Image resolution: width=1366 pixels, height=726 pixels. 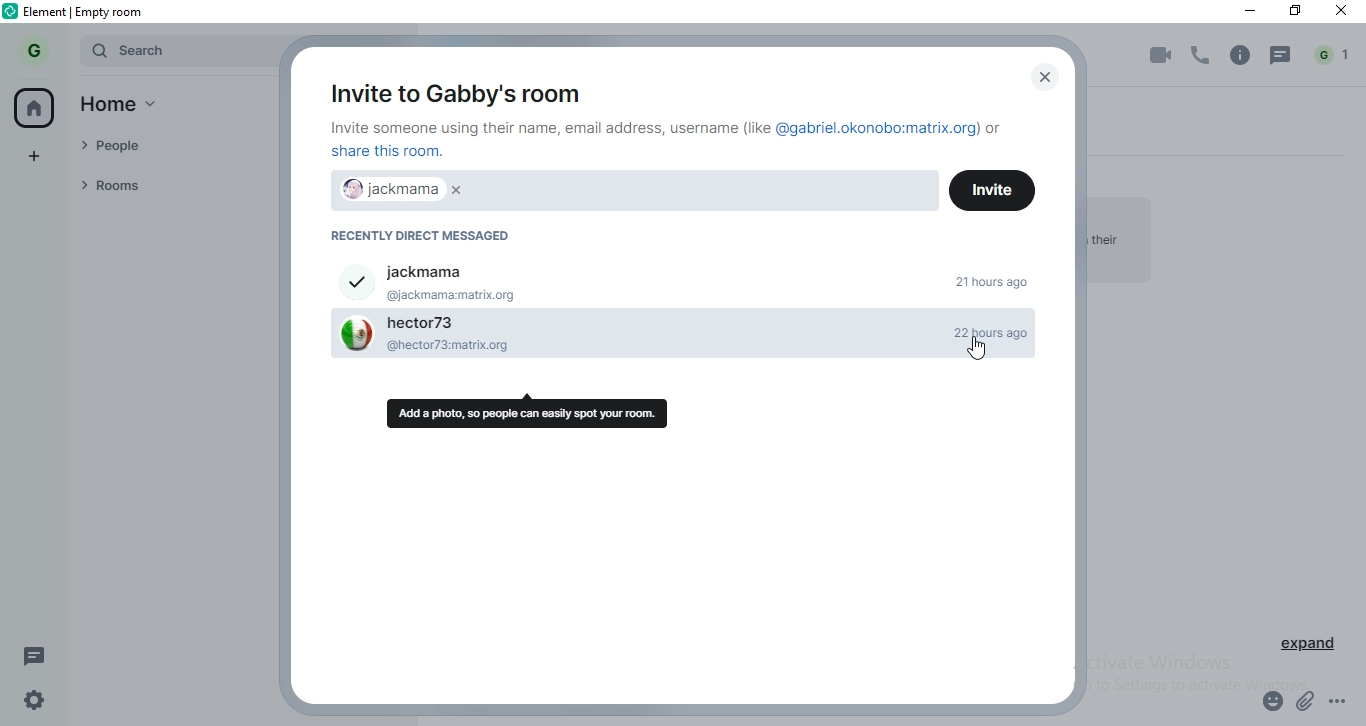 What do you see at coordinates (1295, 13) in the screenshot?
I see `restore` at bounding box center [1295, 13].